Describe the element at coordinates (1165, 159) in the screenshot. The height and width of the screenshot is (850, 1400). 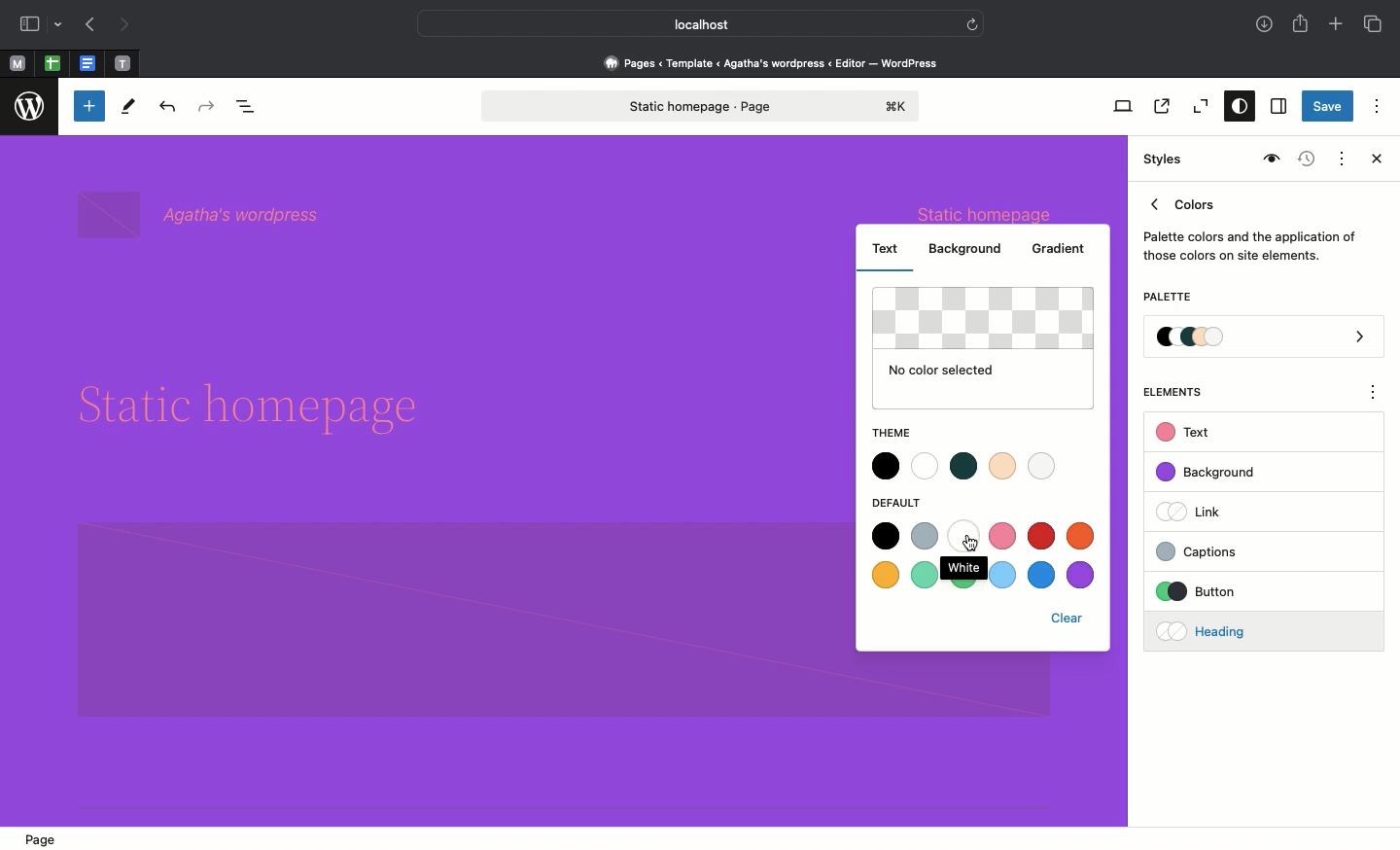
I see `Styles` at that location.